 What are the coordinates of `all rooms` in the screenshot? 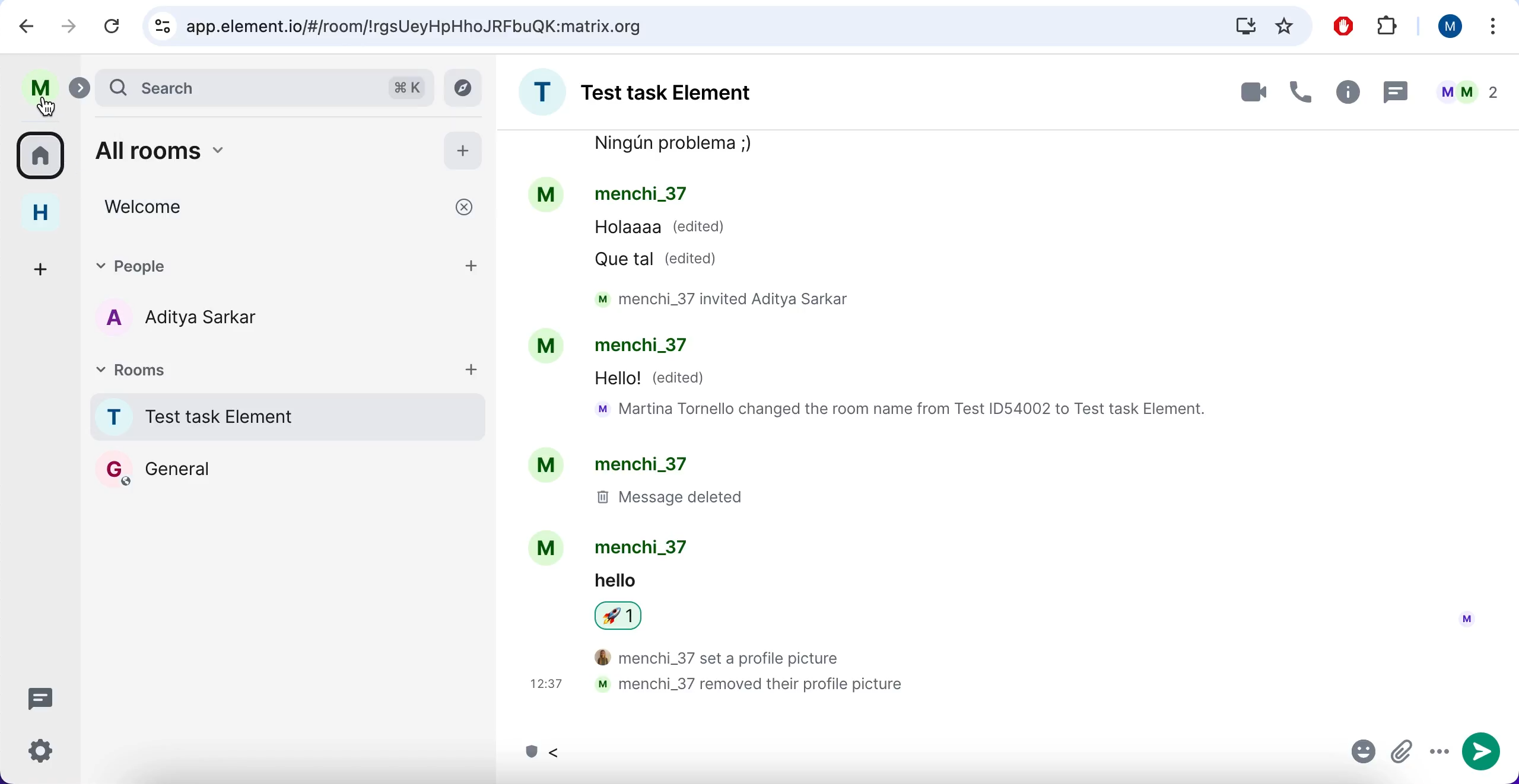 It's located at (253, 152).